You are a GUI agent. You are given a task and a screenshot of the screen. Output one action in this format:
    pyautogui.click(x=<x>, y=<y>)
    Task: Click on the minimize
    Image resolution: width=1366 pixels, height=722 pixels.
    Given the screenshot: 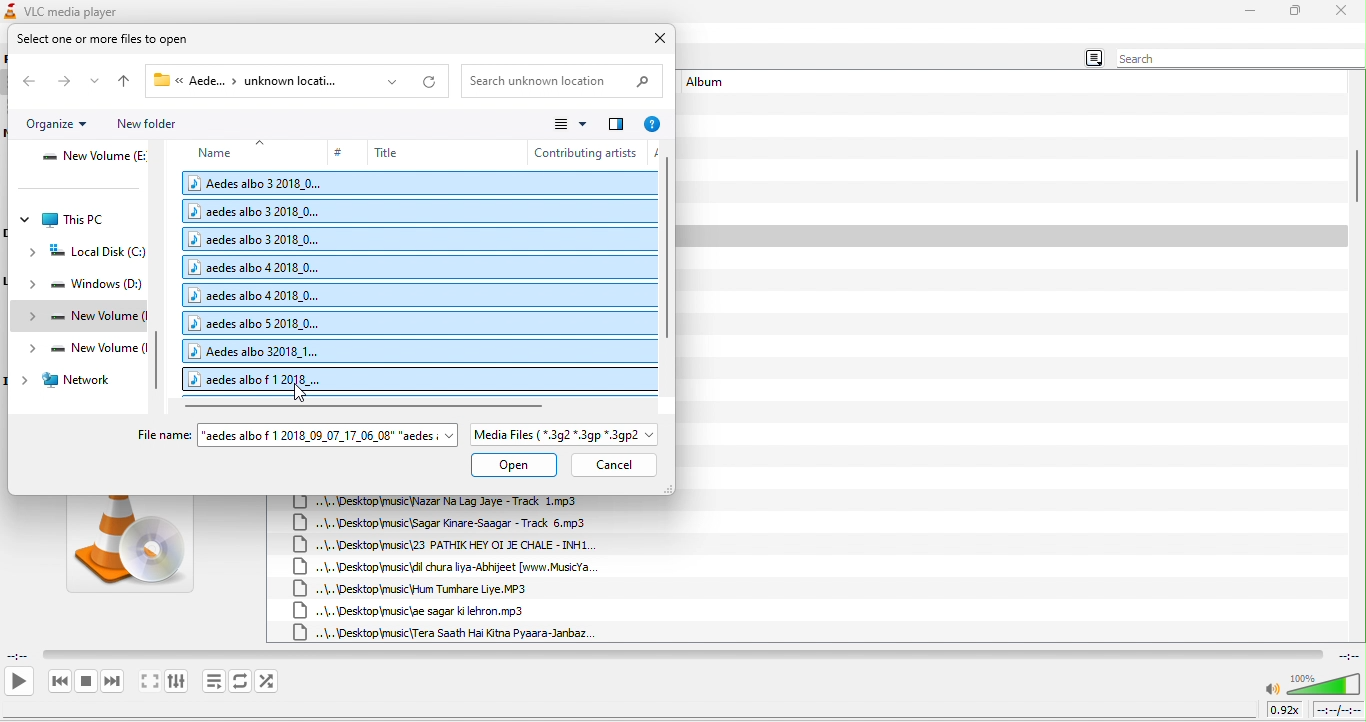 What is the action you would take?
    pyautogui.click(x=1250, y=11)
    